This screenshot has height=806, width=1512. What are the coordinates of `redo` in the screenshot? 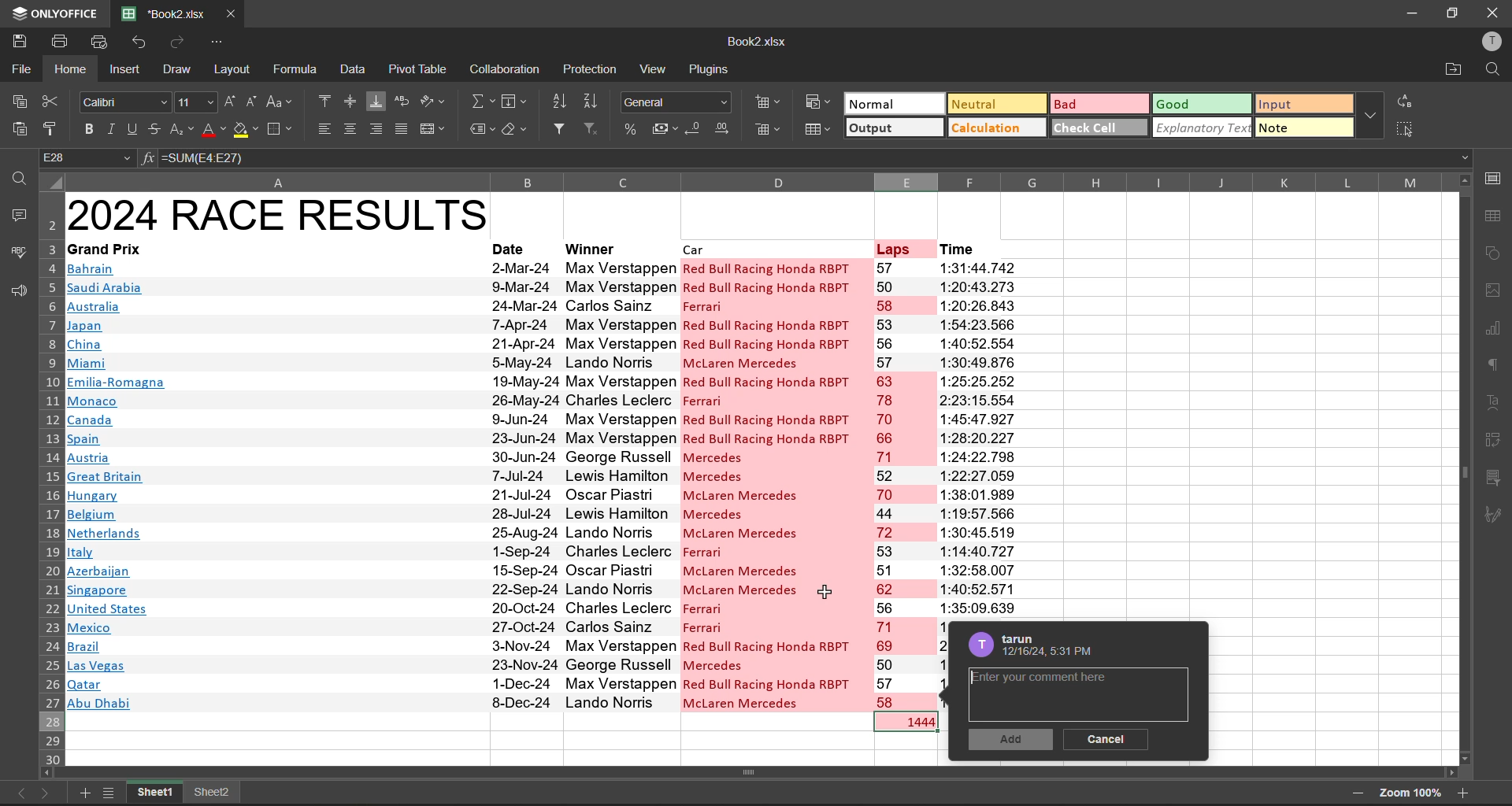 It's located at (180, 40).